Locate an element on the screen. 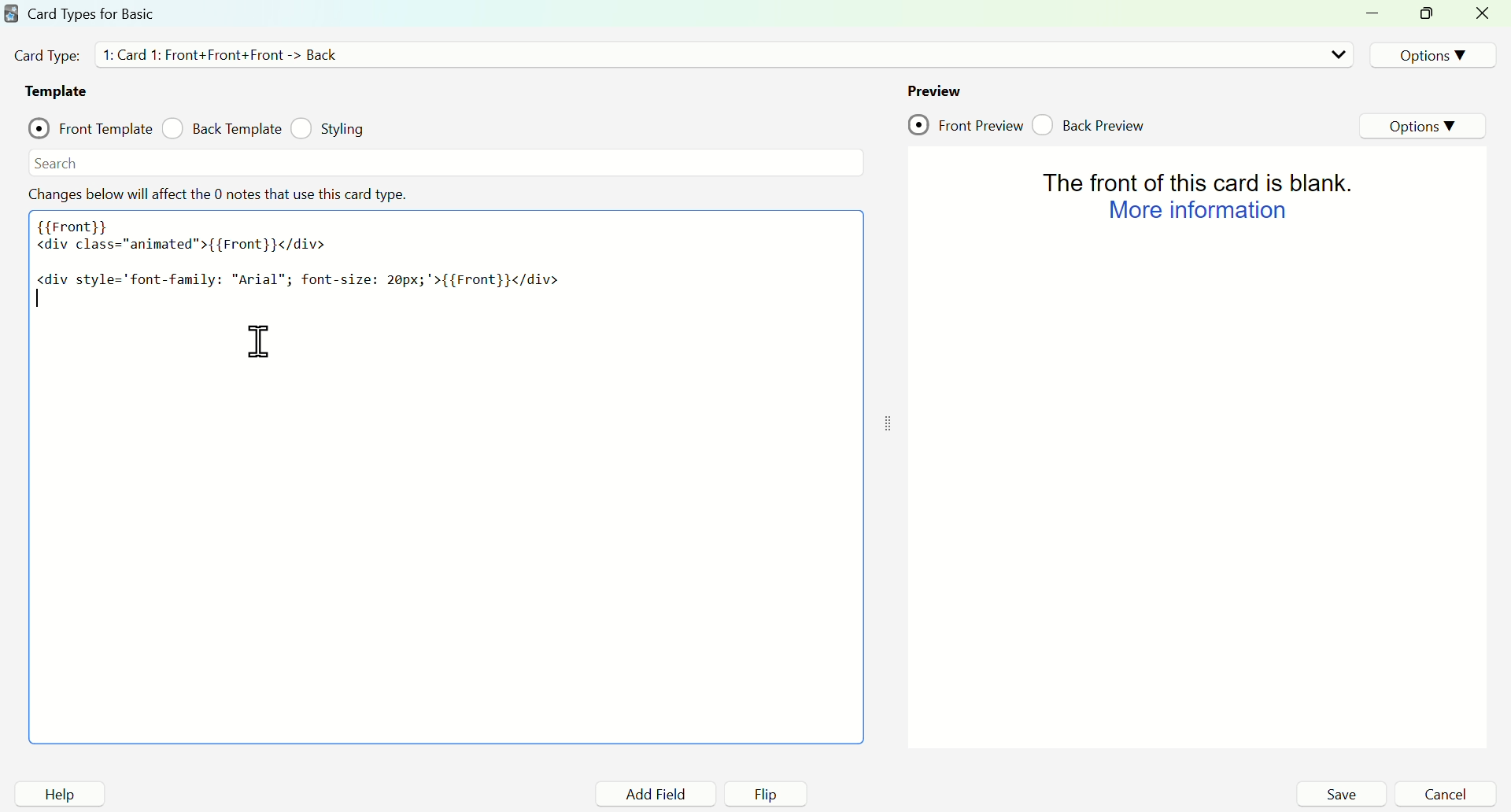  Front Template is located at coordinates (91, 126).